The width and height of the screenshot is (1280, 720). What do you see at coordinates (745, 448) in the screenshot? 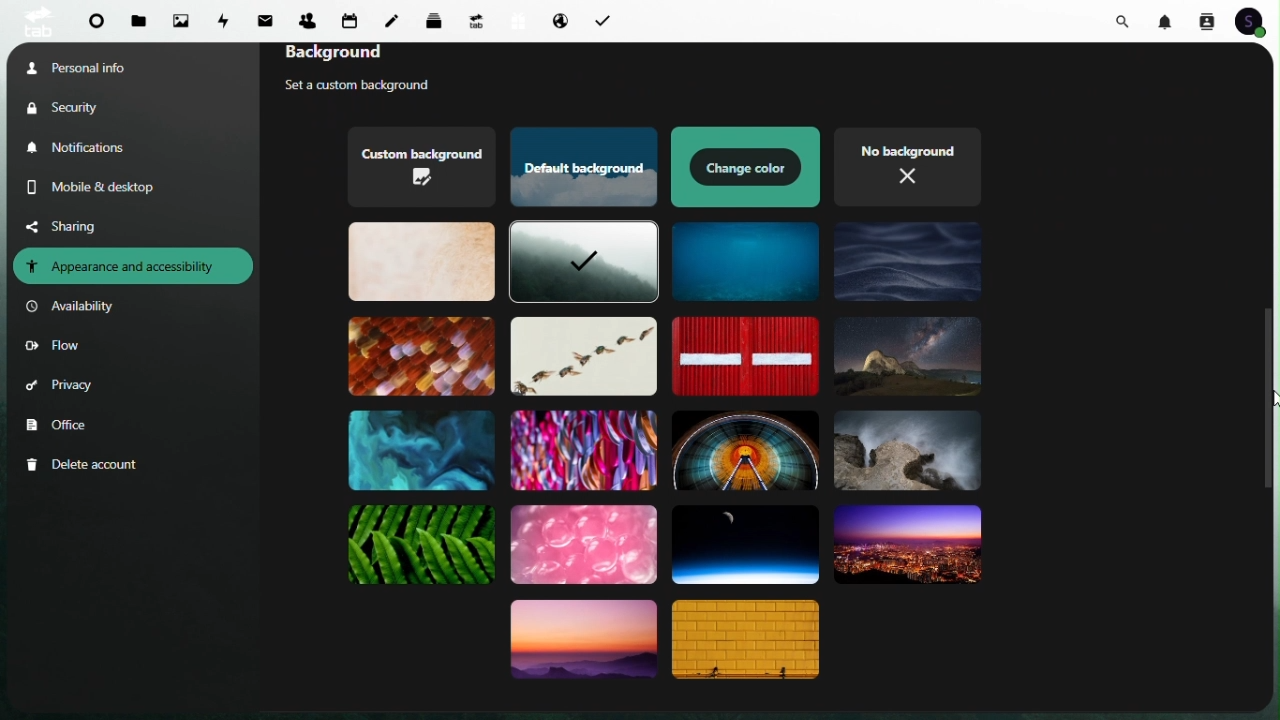
I see `Themes` at bounding box center [745, 448].